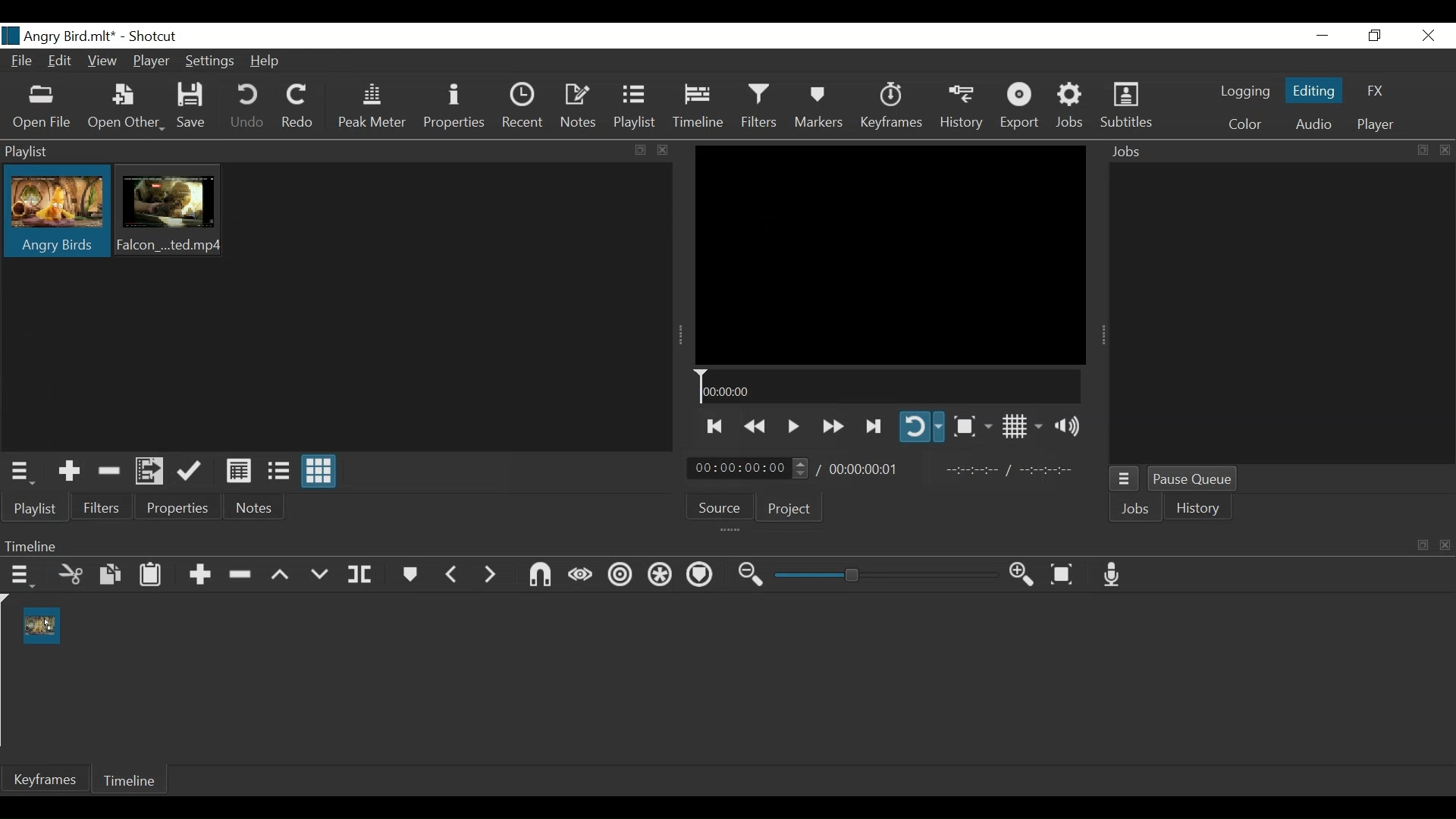 Image resolution: width=1456 pixels, height=819 pixels. What do you see at coordinates (1021, 576) in the screenshot?
I see `Zoom timeline in` at bounding box center [1021, 576].